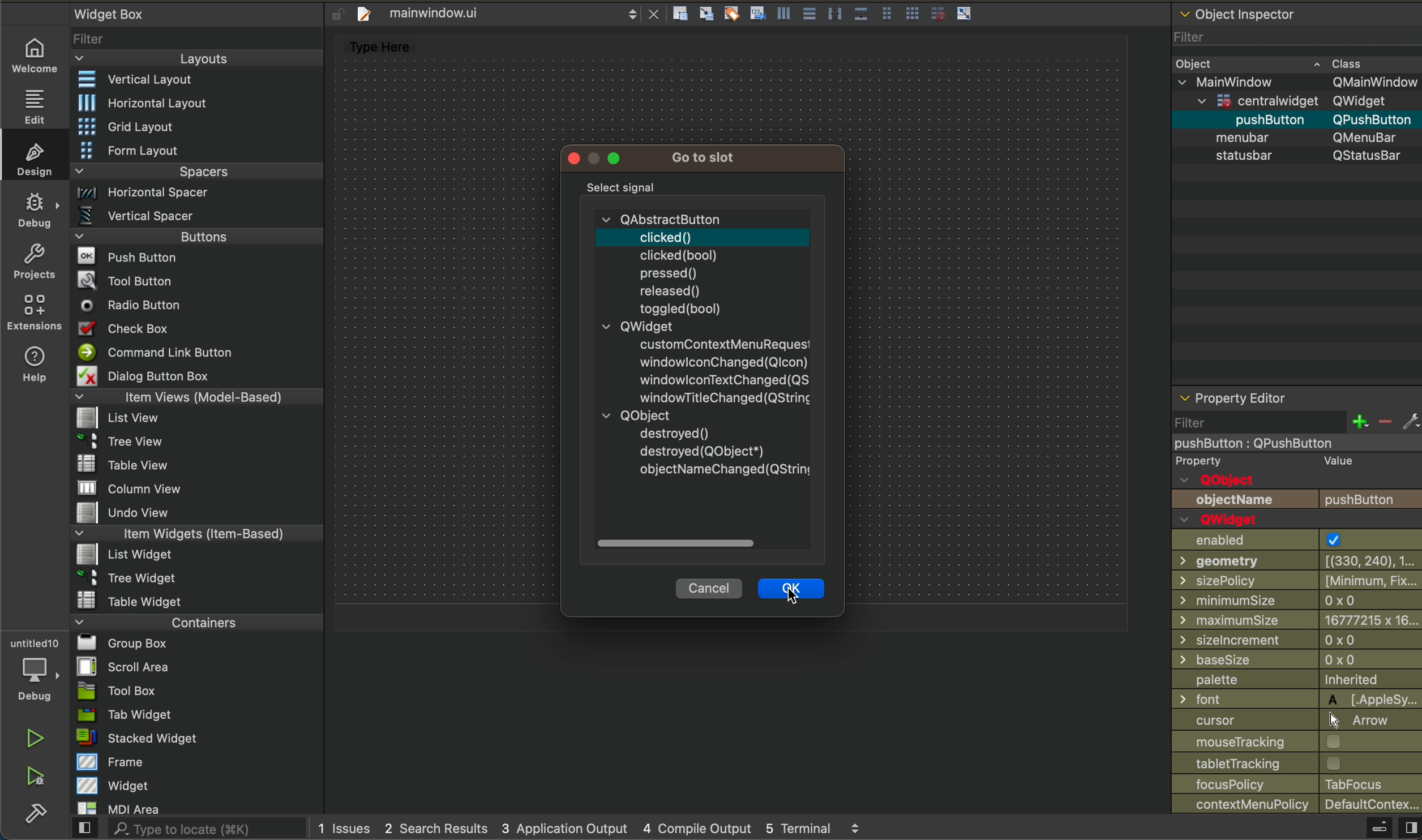  I want to click on home, so click(35, 53).